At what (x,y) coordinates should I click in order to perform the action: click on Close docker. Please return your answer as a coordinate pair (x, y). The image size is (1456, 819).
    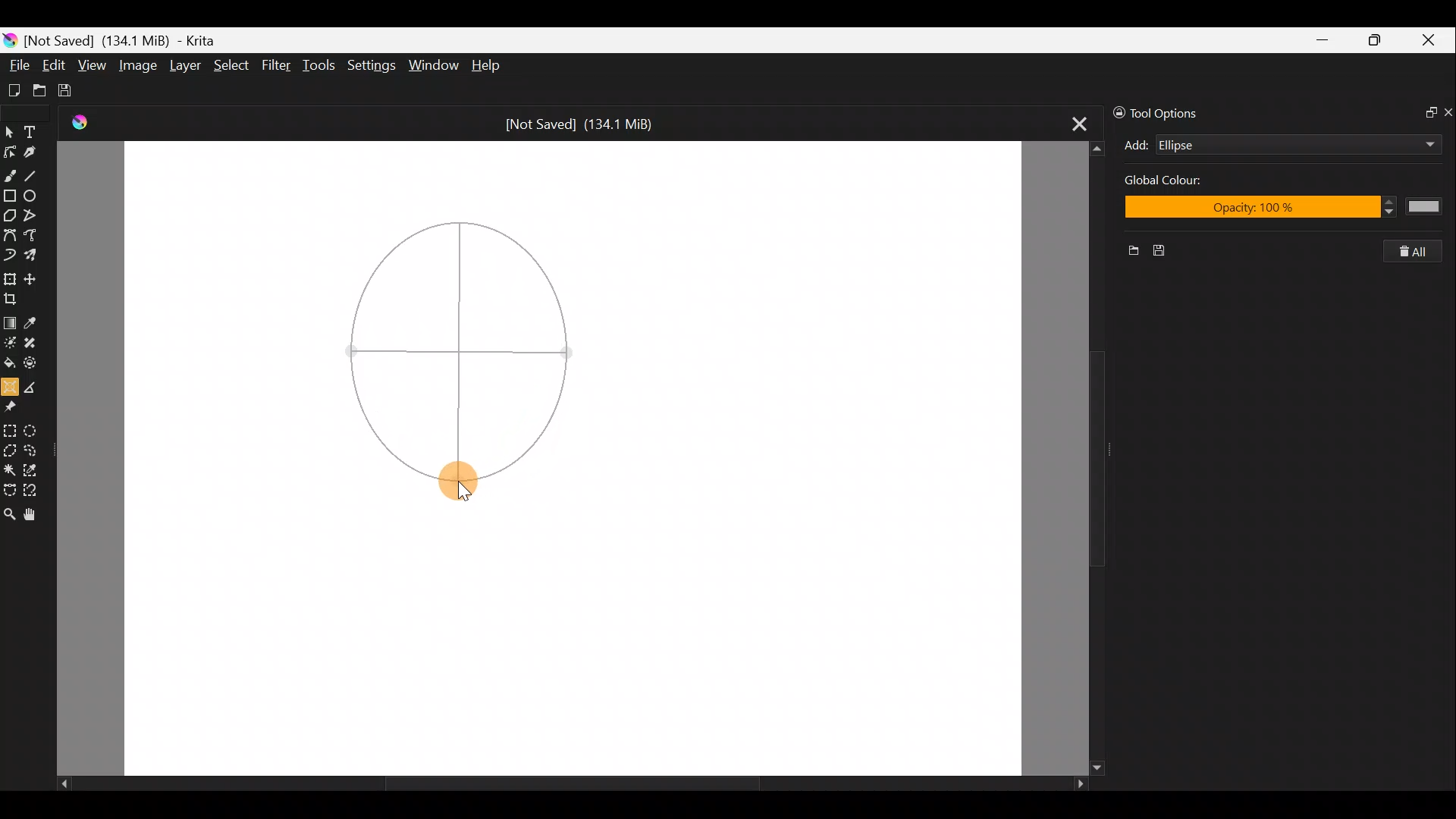
    Looking at the image, I should click on (1447, 111).